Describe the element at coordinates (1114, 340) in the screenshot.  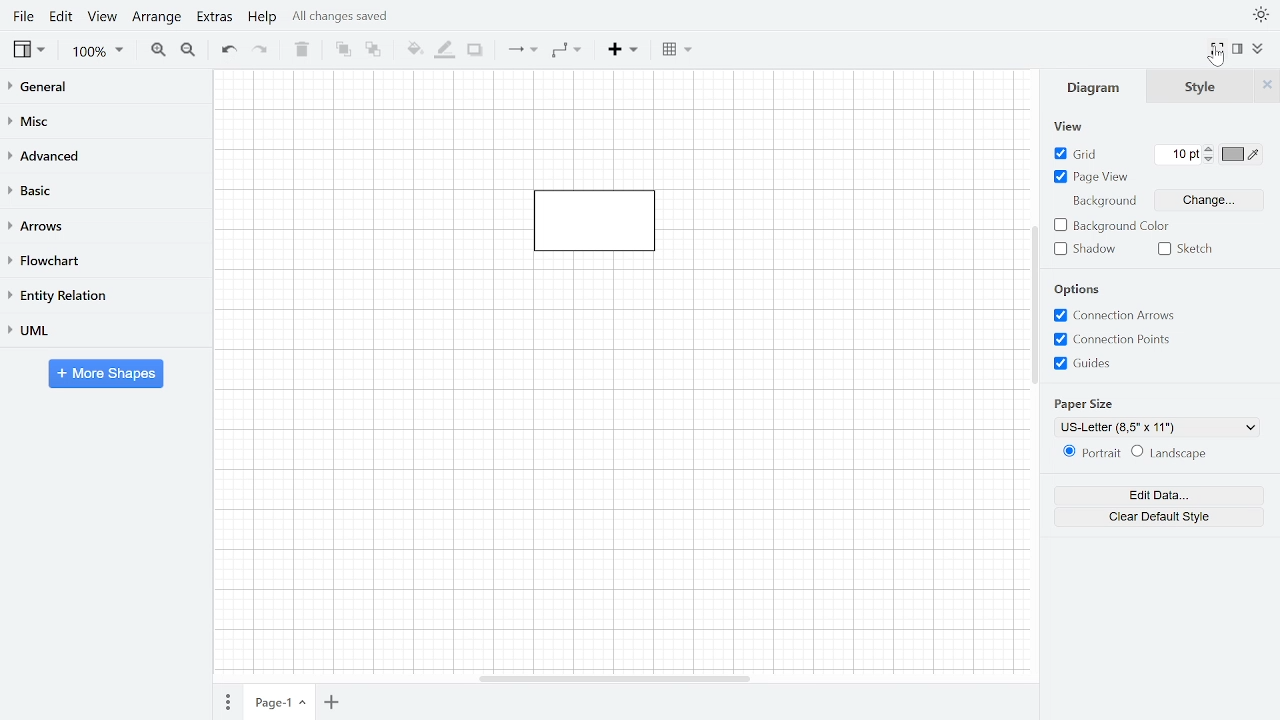
I see `Connection points` at that location.